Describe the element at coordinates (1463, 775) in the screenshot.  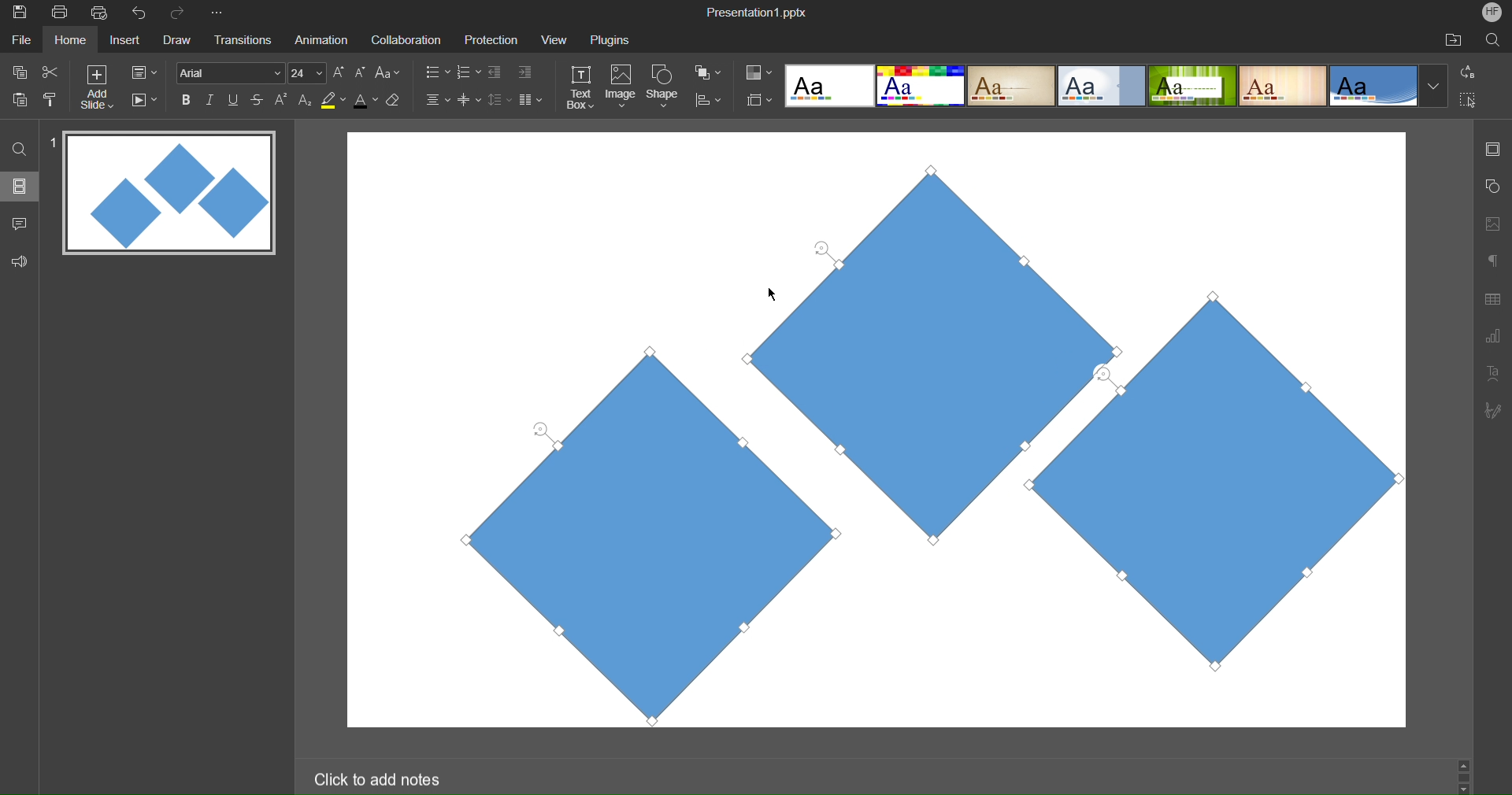
I see `scrollbar` at that location.